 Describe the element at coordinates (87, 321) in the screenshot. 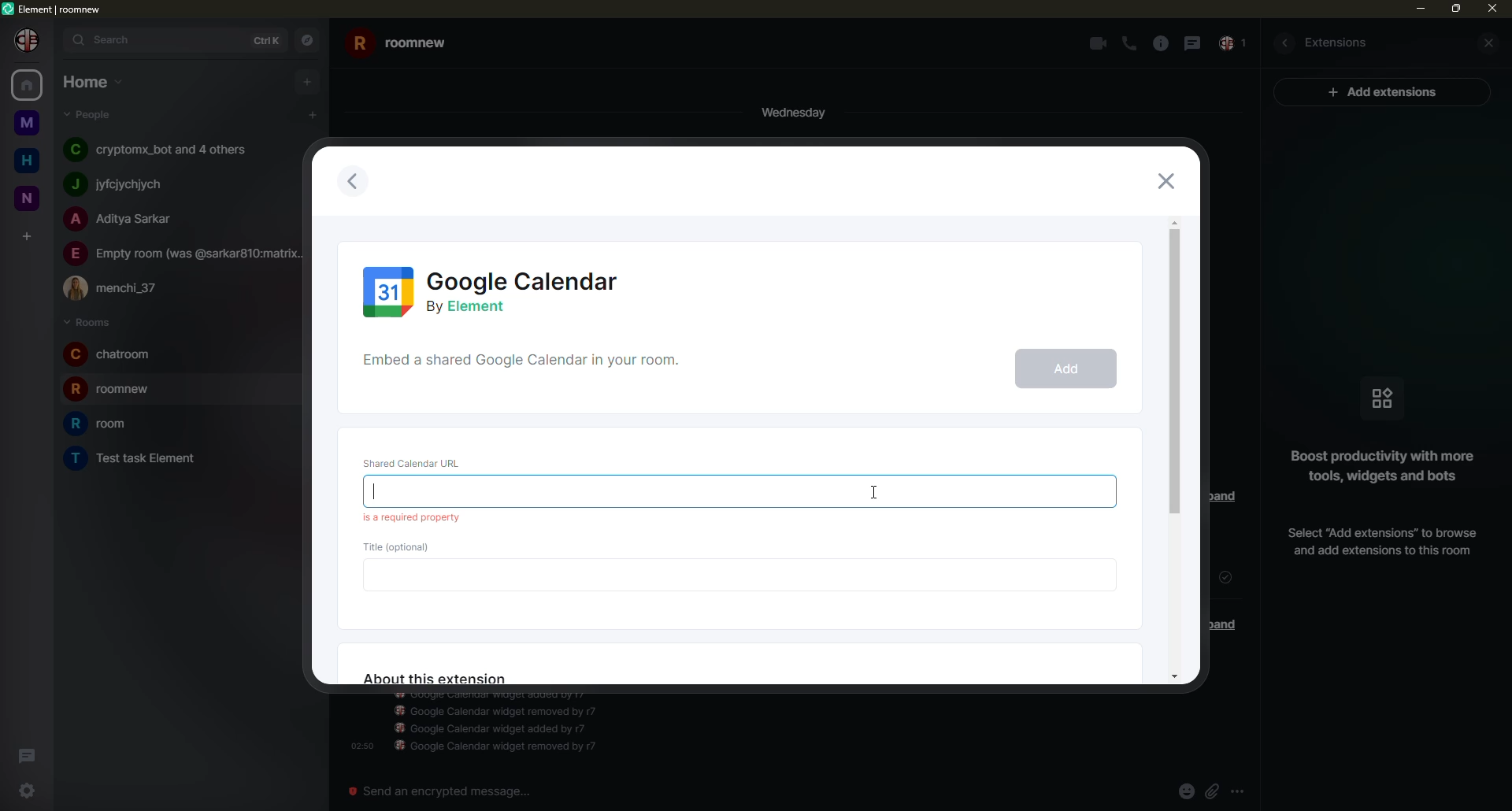

I see `rooms` at that location.